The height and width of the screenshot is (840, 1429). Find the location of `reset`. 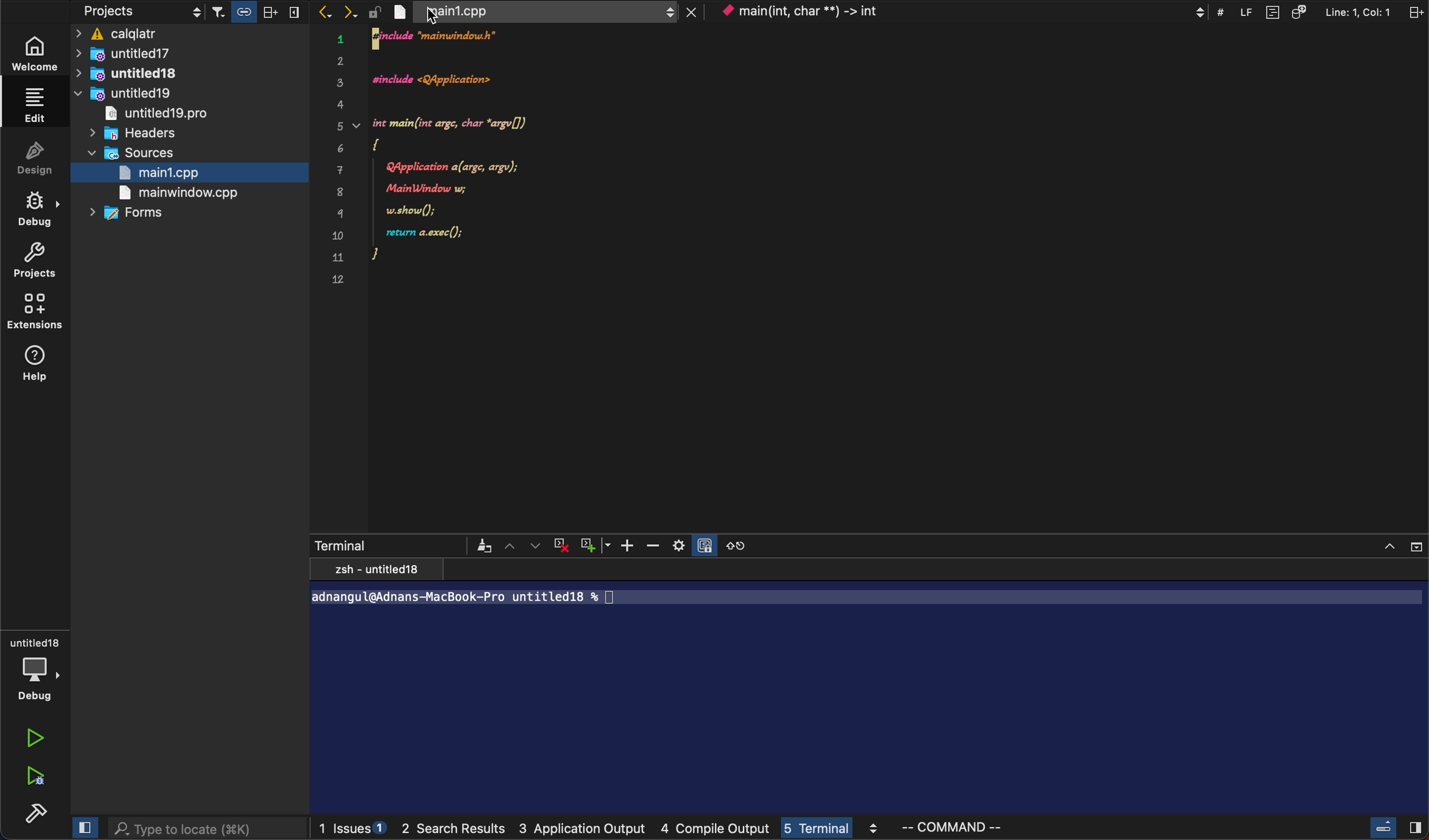

reset is located at coordinates (748, 545).